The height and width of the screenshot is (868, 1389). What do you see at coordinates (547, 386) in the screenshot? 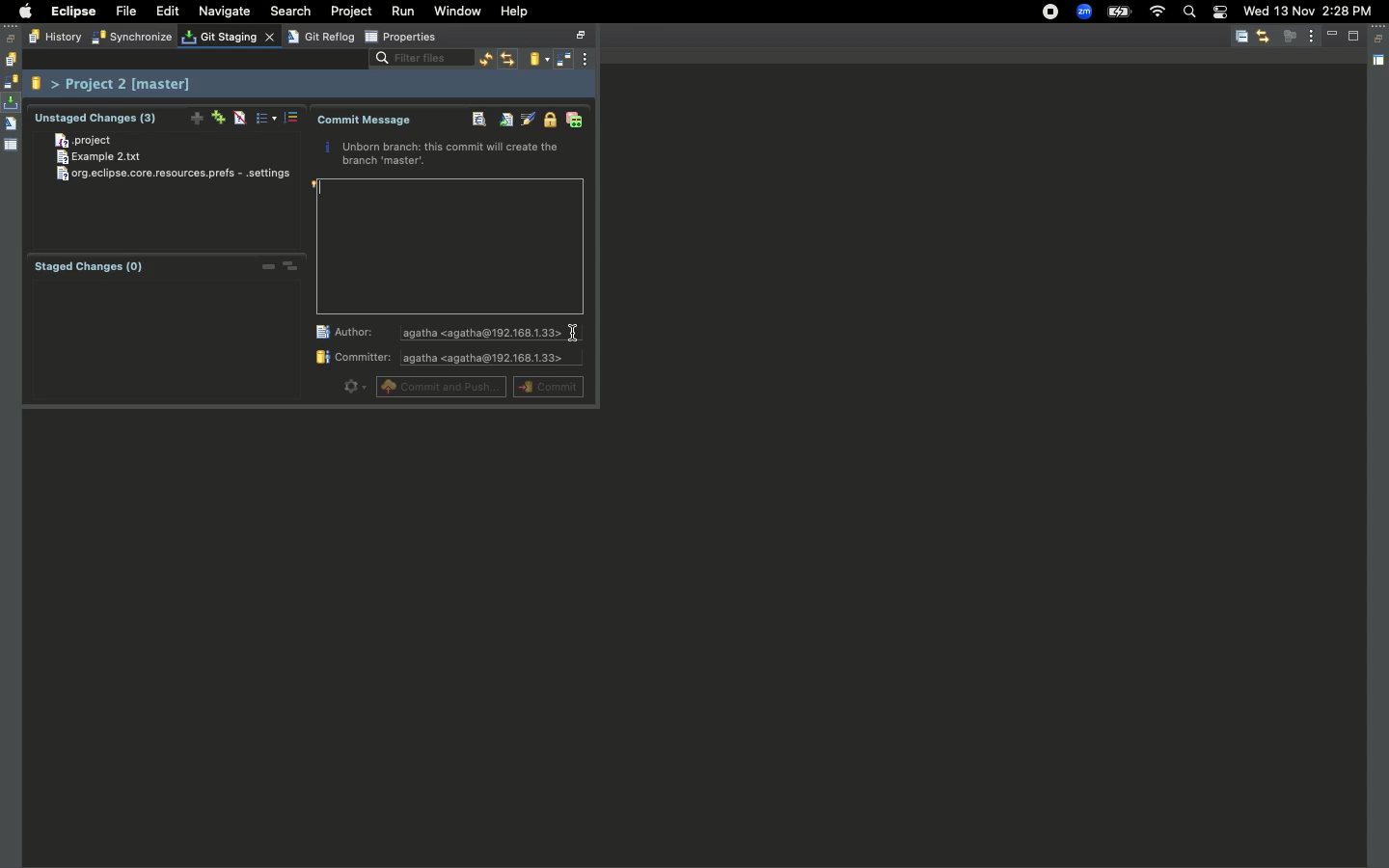
I see `Commit` at bounding box center [547, 386].